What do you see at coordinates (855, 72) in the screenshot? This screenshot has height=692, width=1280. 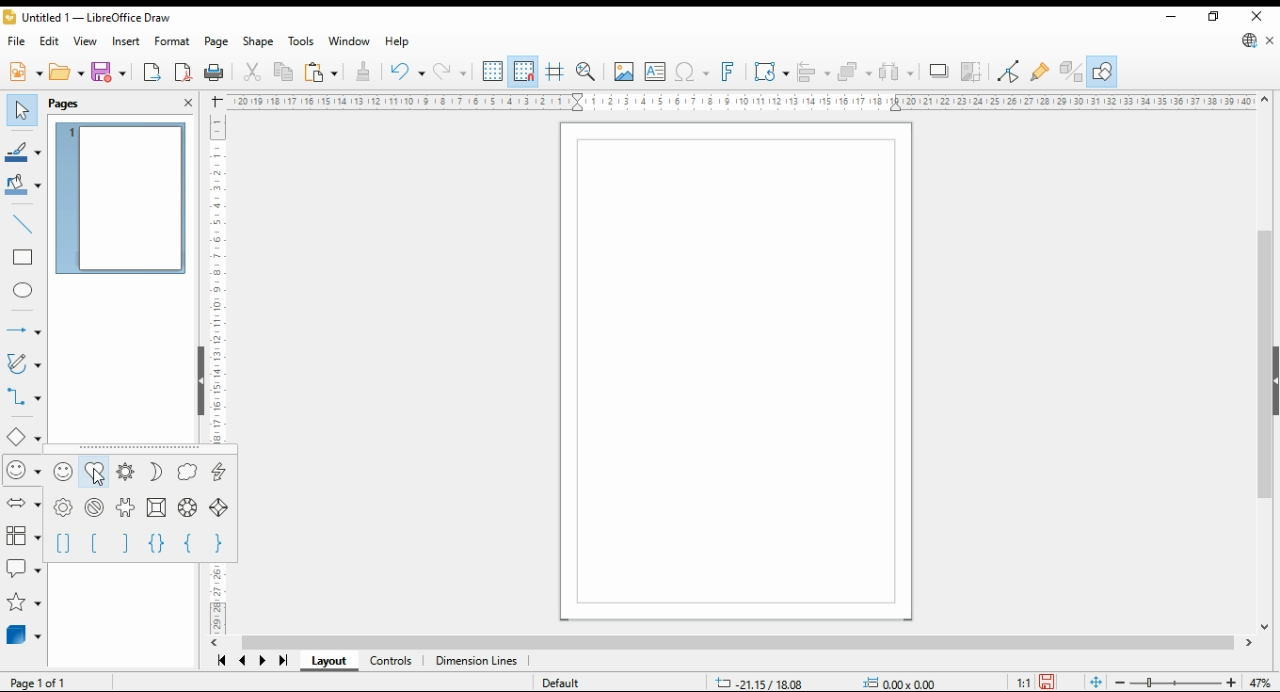 I see `arrange` at bounding box center [855, 72].